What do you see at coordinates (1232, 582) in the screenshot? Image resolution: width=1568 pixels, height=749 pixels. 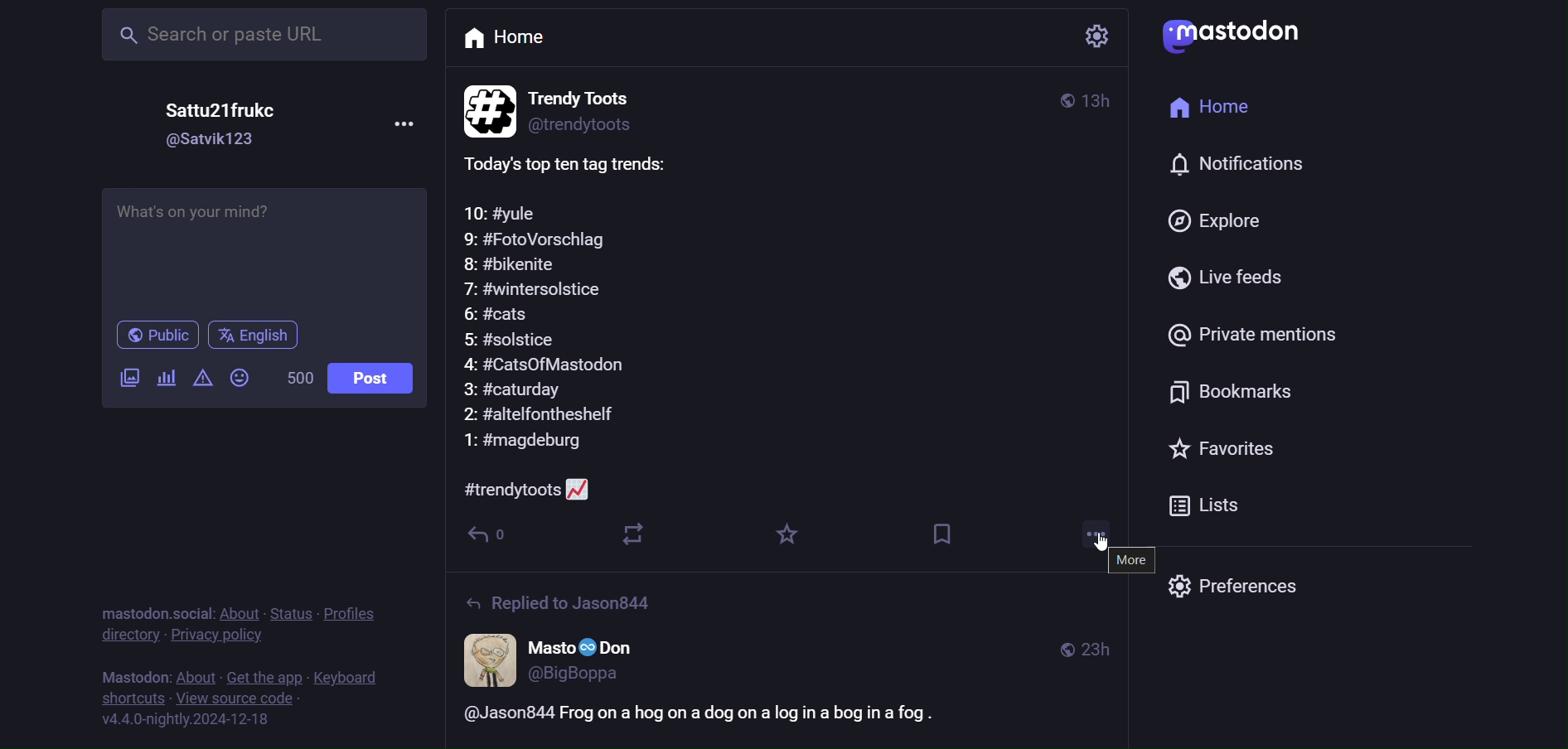 I see `preferences` at bounding box center [1232, 582].